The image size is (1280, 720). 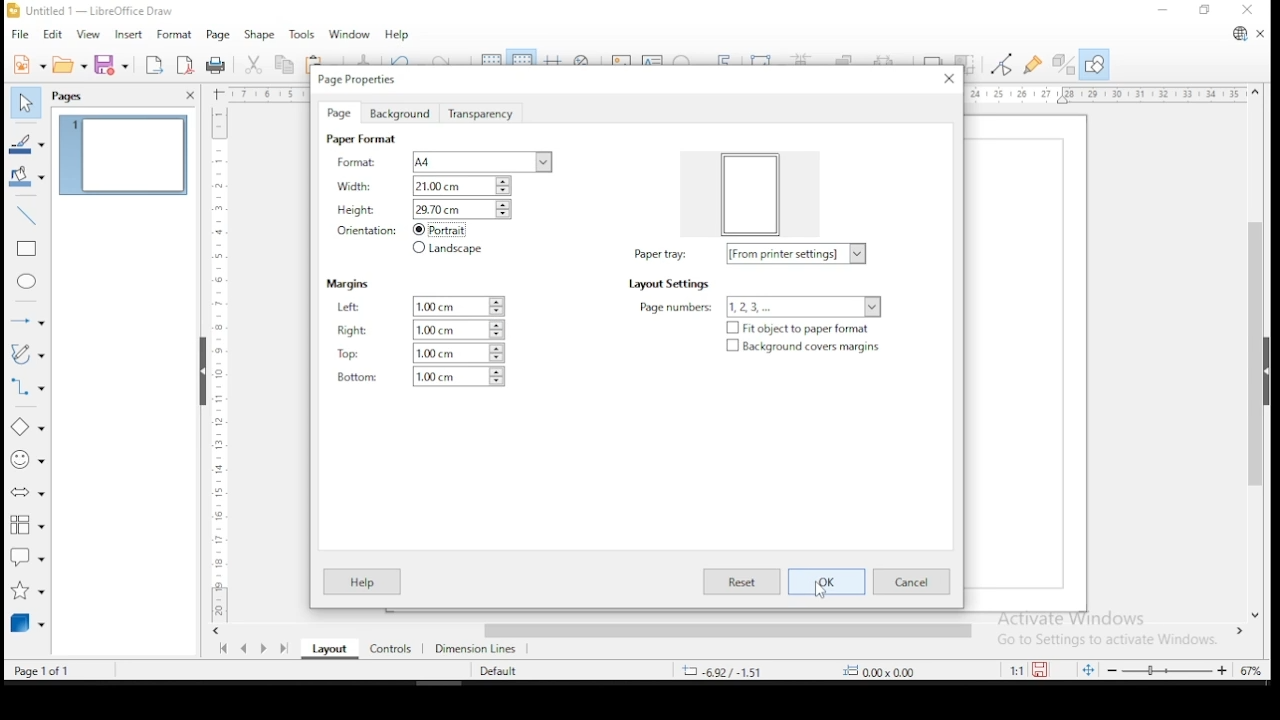 What do you see at coordinates (29, 103) in the screenshot?
I see `select` at bounding box center [29, 103].